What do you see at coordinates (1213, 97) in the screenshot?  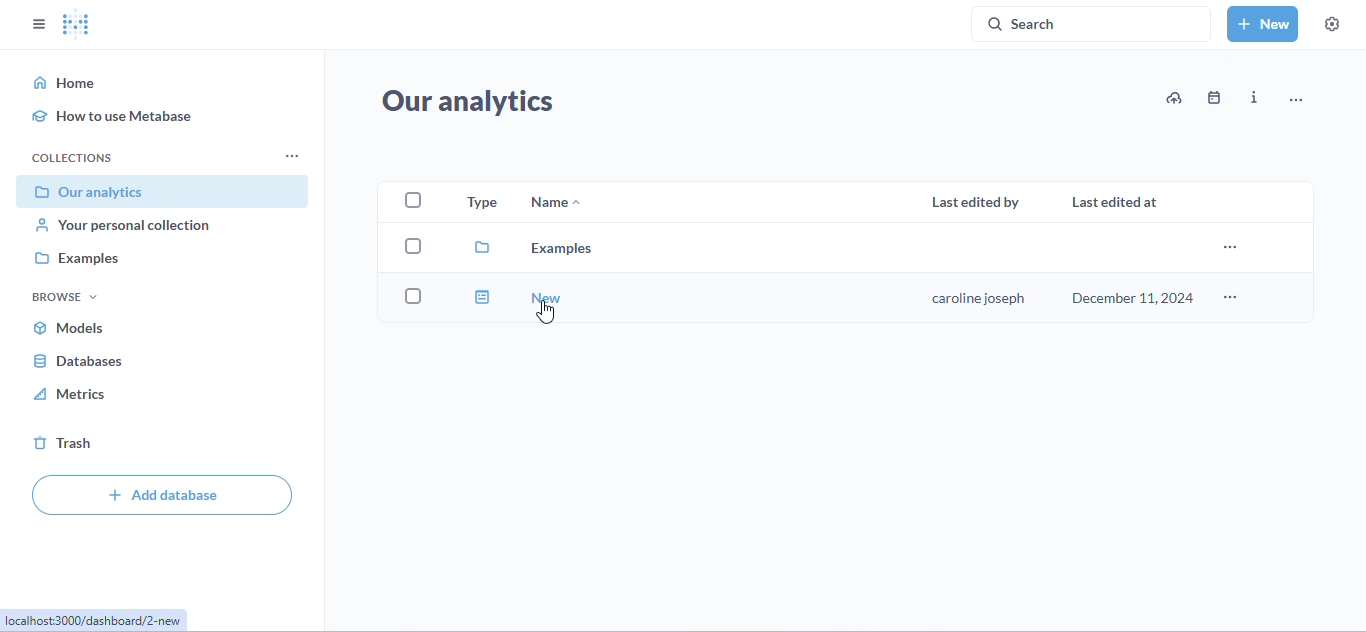 I see `events` at bounding box center [1213, 97].